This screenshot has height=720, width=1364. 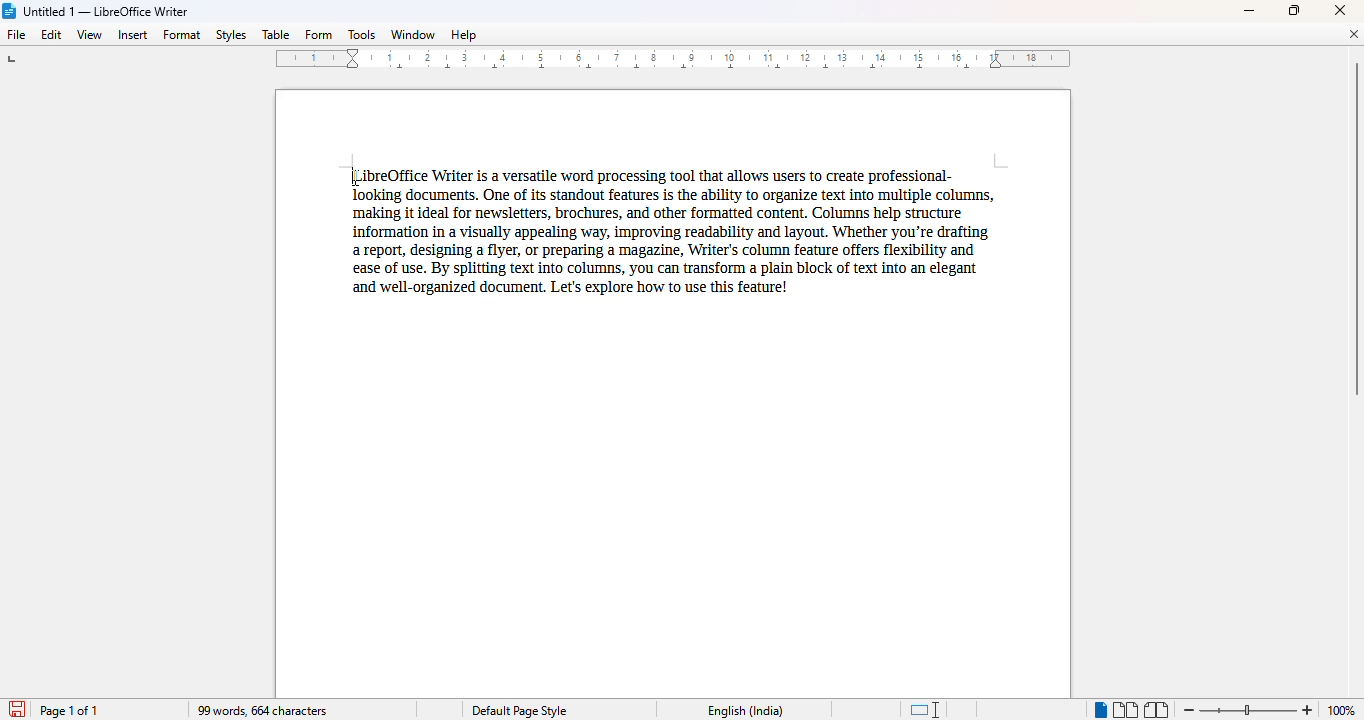 I want to click on LibreOffice Writer is a versatile word processing tool that allows users to create professional-looking documents. One of its standout features is the ability to organize text into multiple columns, making it ideal for newsletters, brochures, and other formatted content. Columns help structure information in a visually appealing way, improving readability and layout. Whether you're drafting a report, designing a flyer, or preparing a magazine, Writer's column feature offers flexibility and ease of use. By splitting text into columns, you can transform a plain block of text into an elegant and well-organized document. Let's explore how to use this feature!, so click(x=667, y=225).